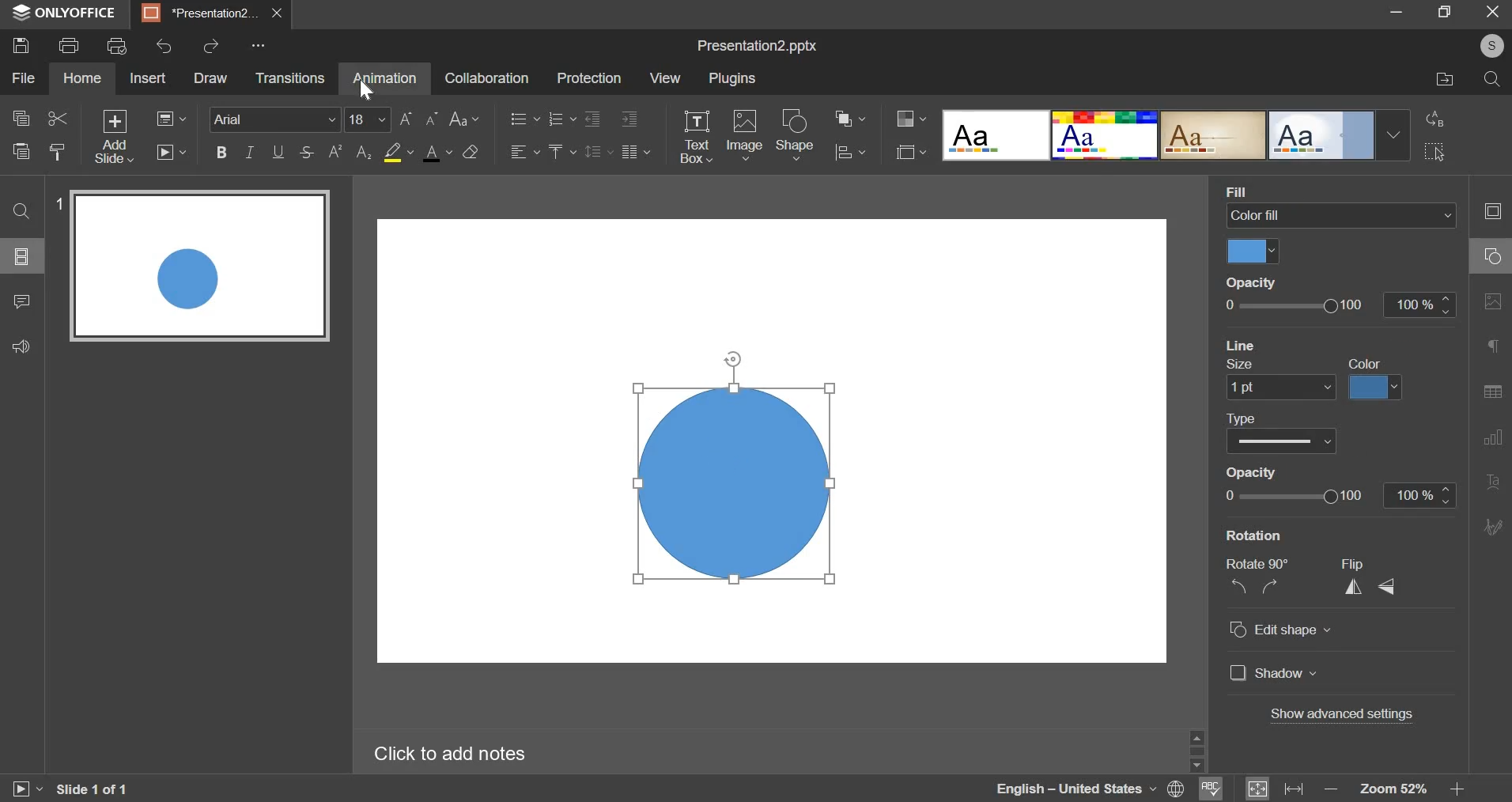 This screenshot has height=802, width=1512. Describe the element at coordinates (212, 78) in the screenshot. I see `draw` at that location.